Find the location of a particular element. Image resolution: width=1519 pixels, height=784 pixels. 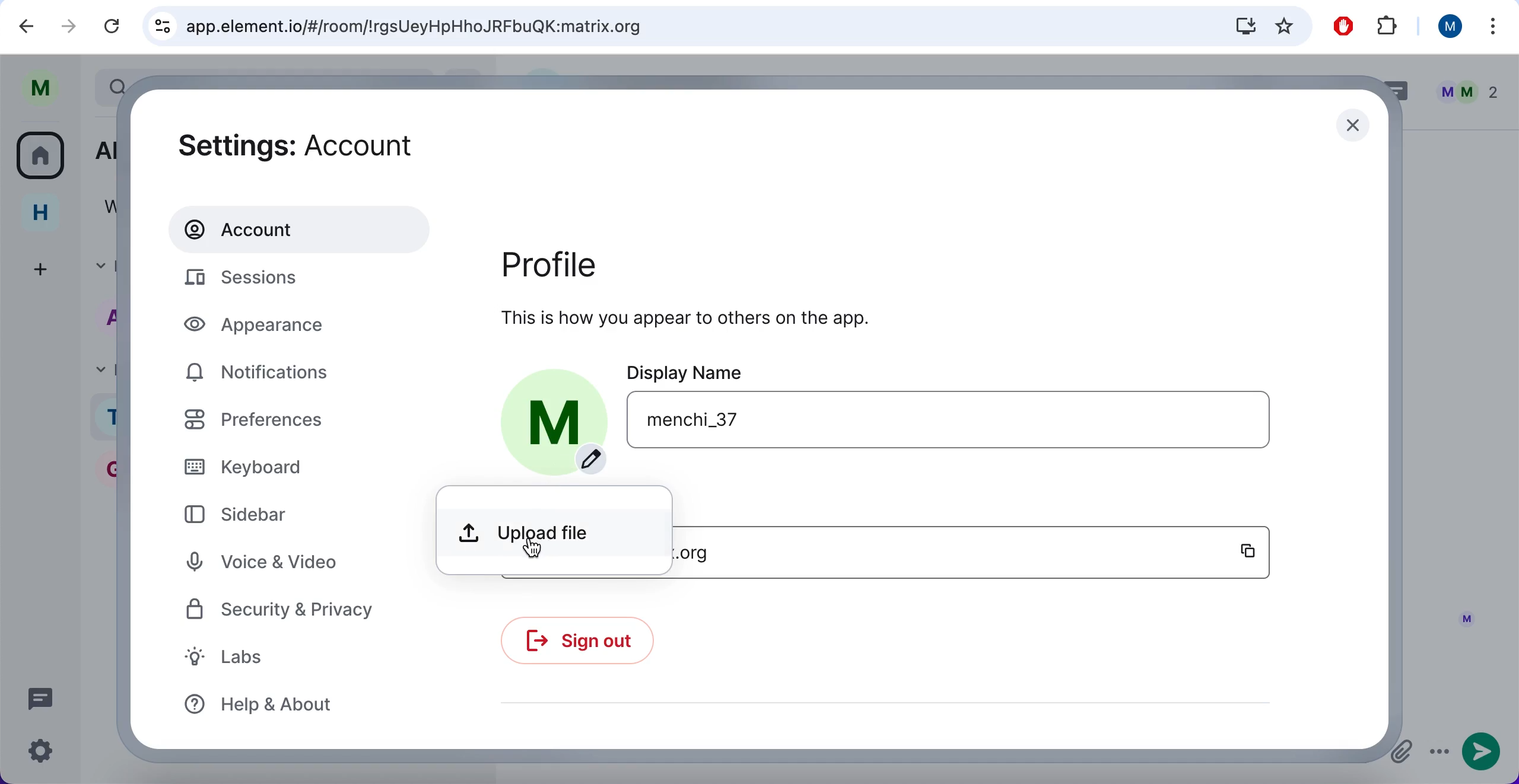

extensions is located at coordinates (1389, 28).